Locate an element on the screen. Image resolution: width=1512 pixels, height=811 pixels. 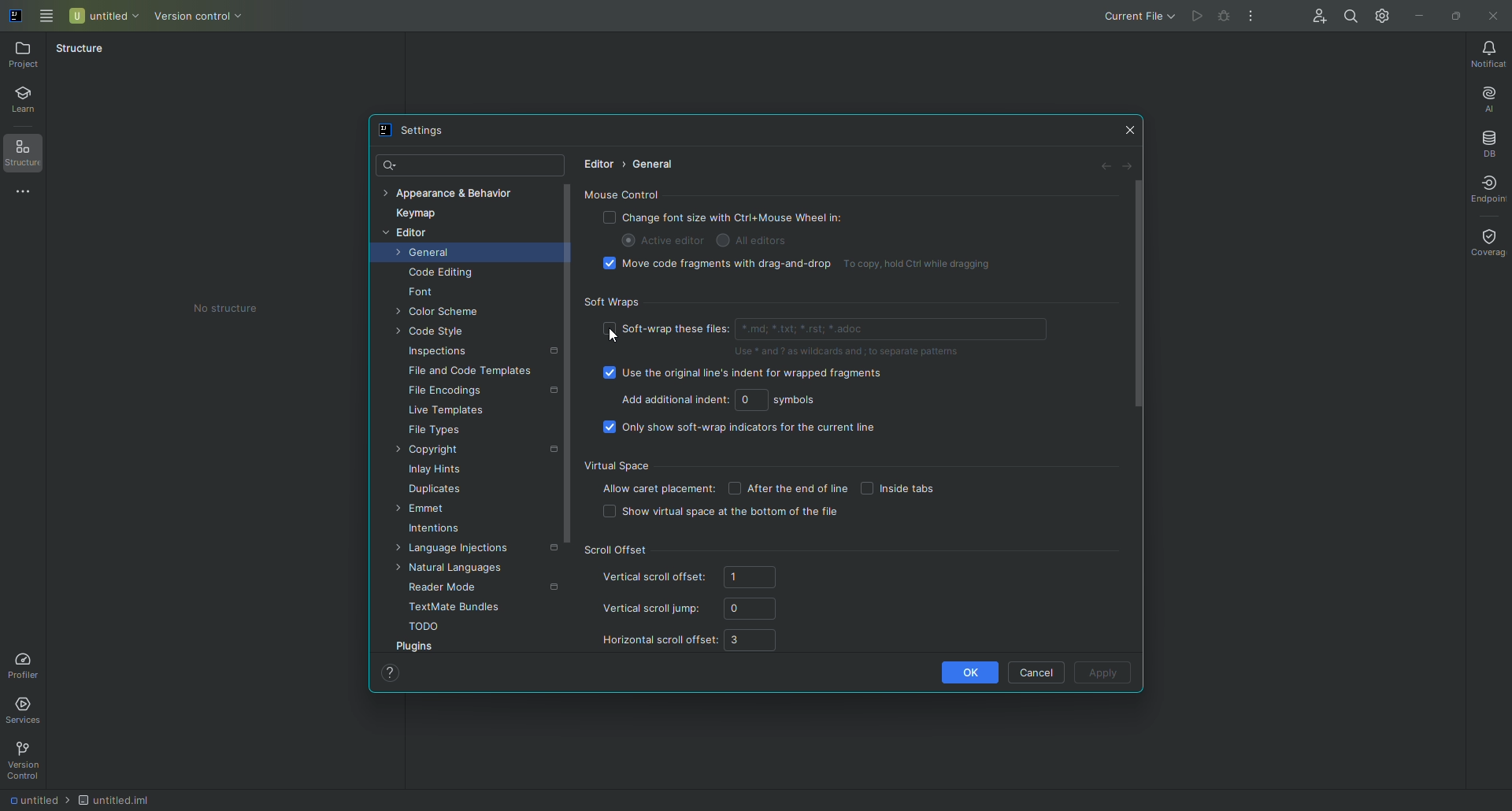
Live Templates is located at coordinates (447, 411).